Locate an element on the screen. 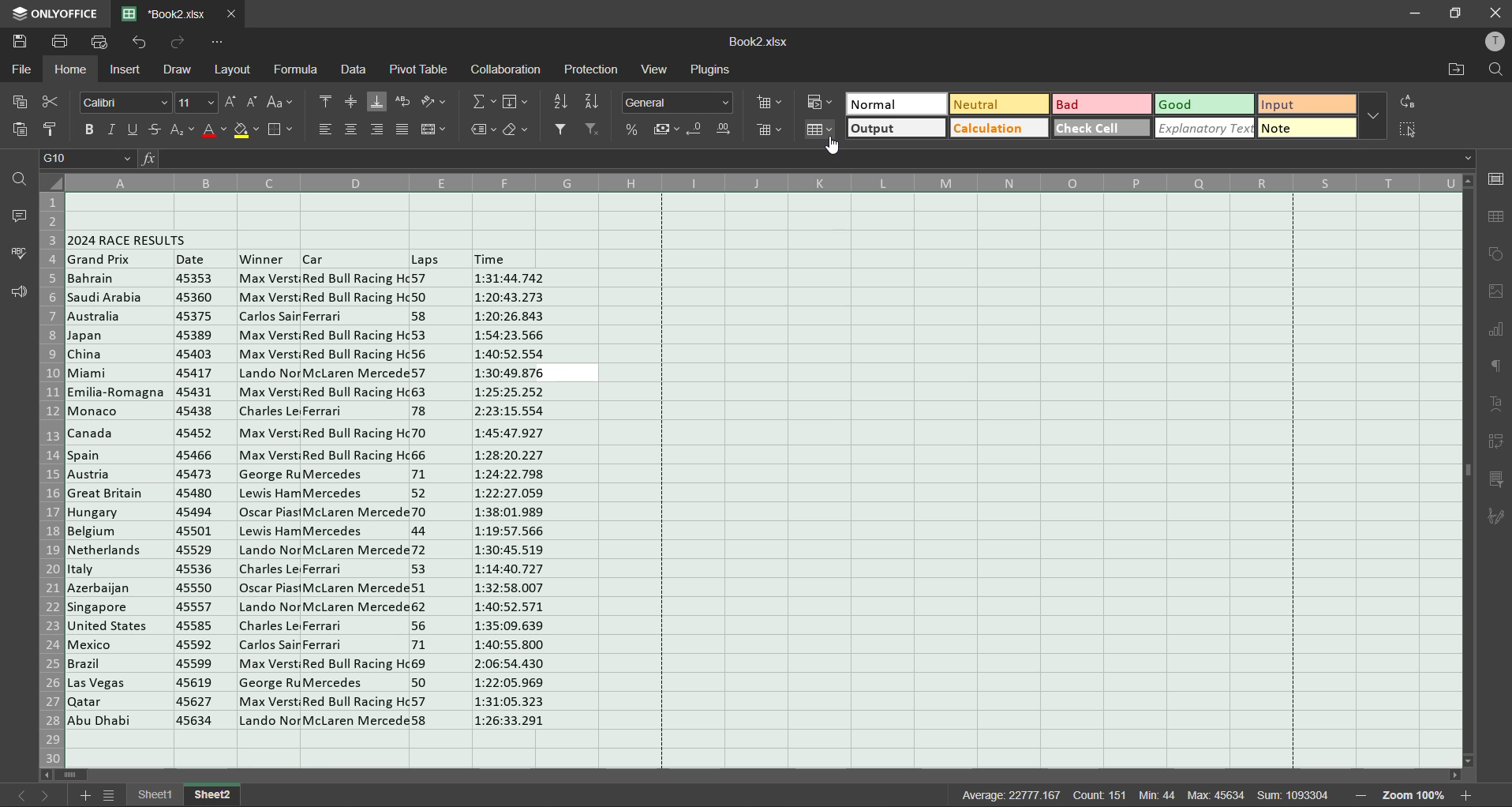  decrease decimal is located at coordinates (698, 129).